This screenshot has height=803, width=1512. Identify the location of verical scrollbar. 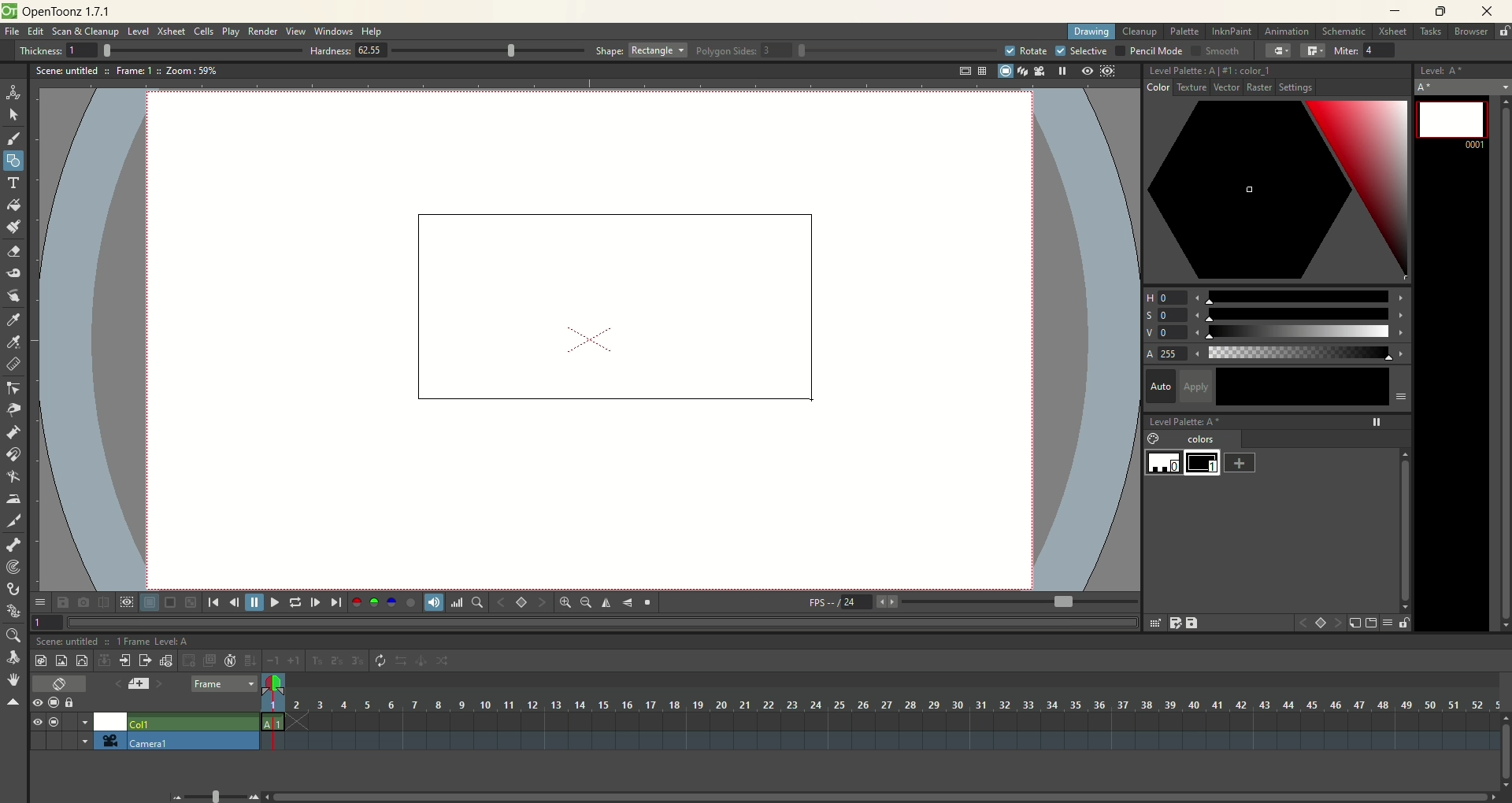
(1403, 521).